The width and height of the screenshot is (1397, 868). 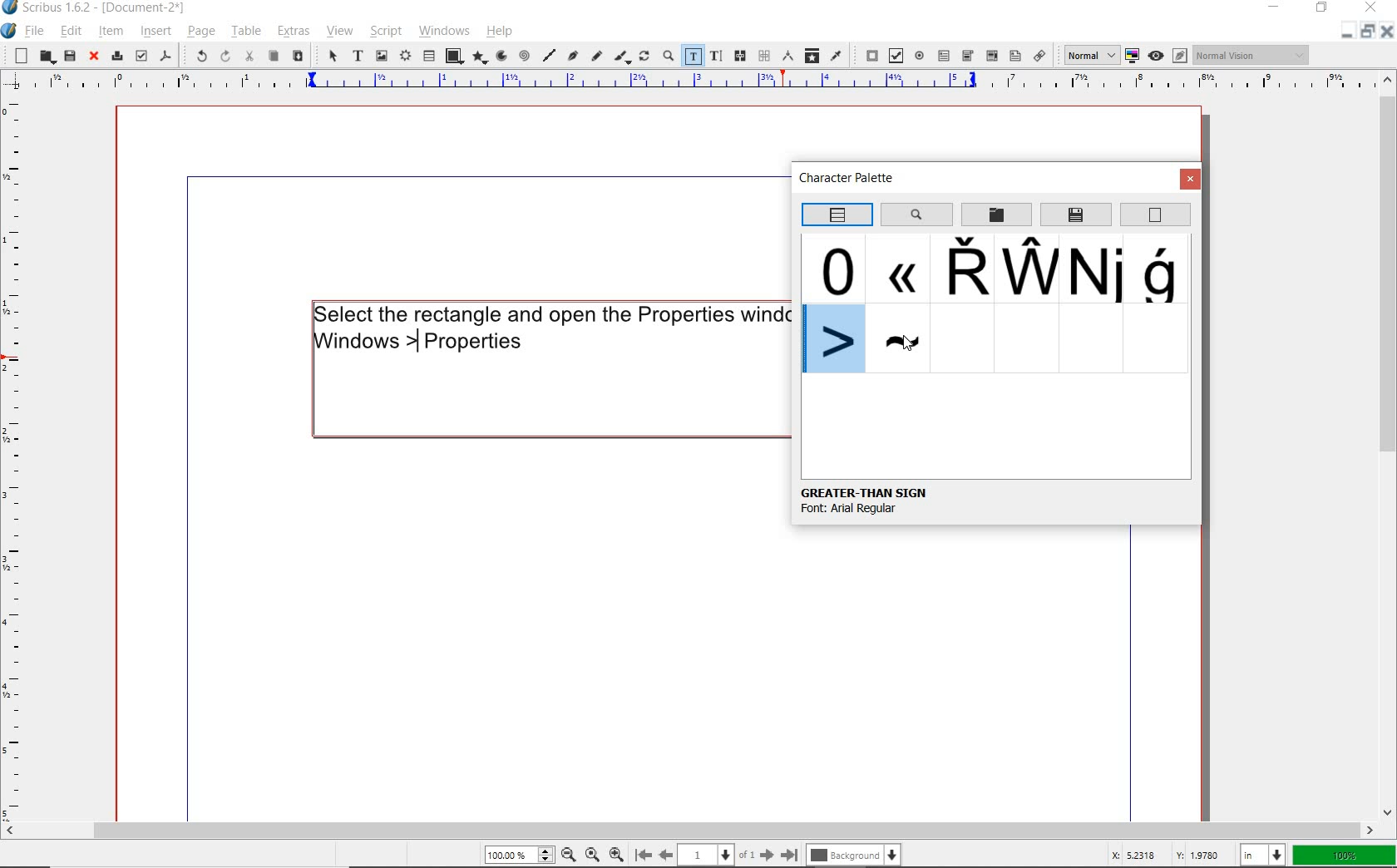 What do you see at coordinates (72, 31) in the screenshot?
I see `edit` at bounding box center [72, 31].